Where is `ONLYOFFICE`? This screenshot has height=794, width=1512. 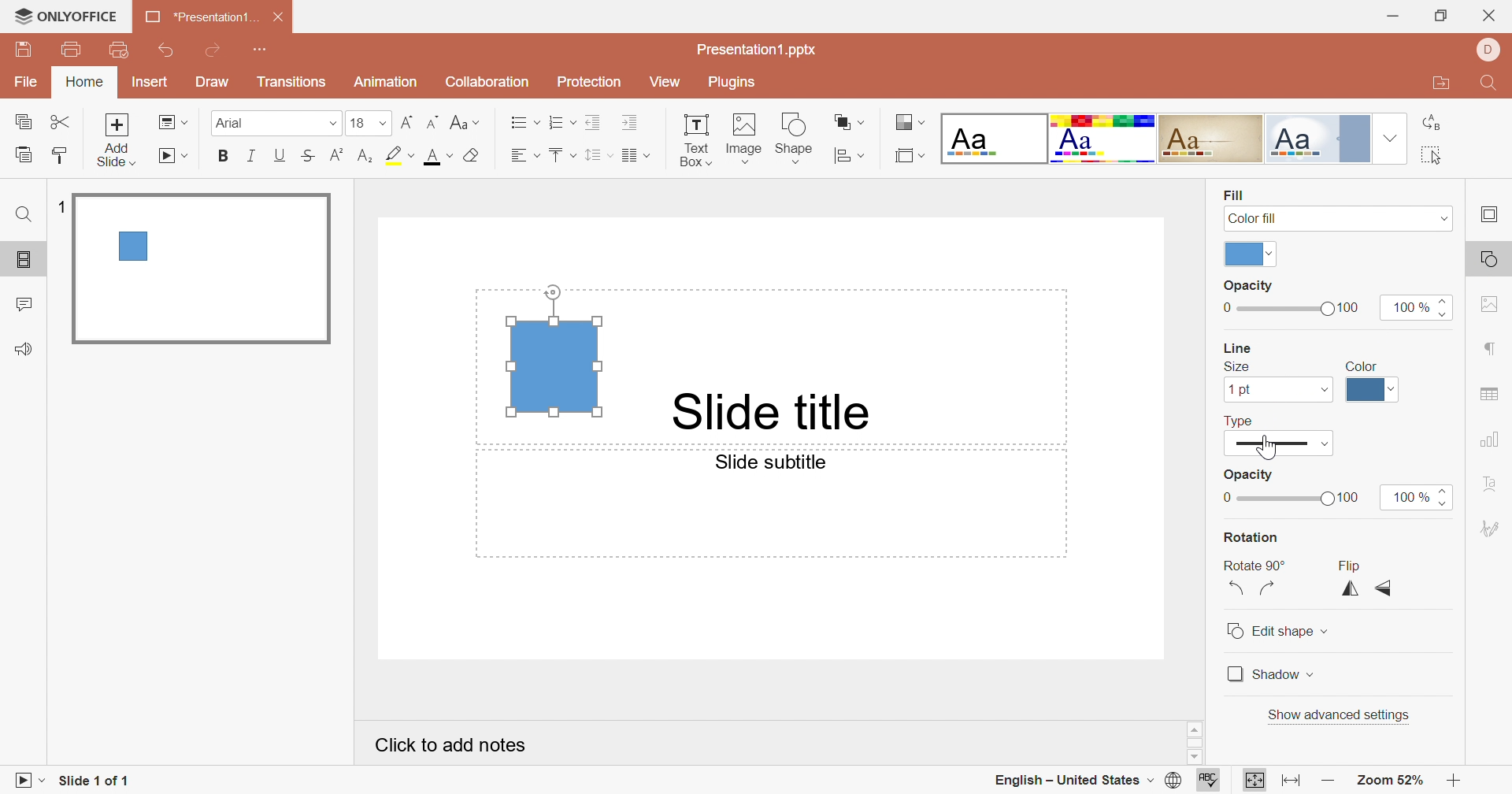 ONLYOFFICE is located at coordinates (67, 15).